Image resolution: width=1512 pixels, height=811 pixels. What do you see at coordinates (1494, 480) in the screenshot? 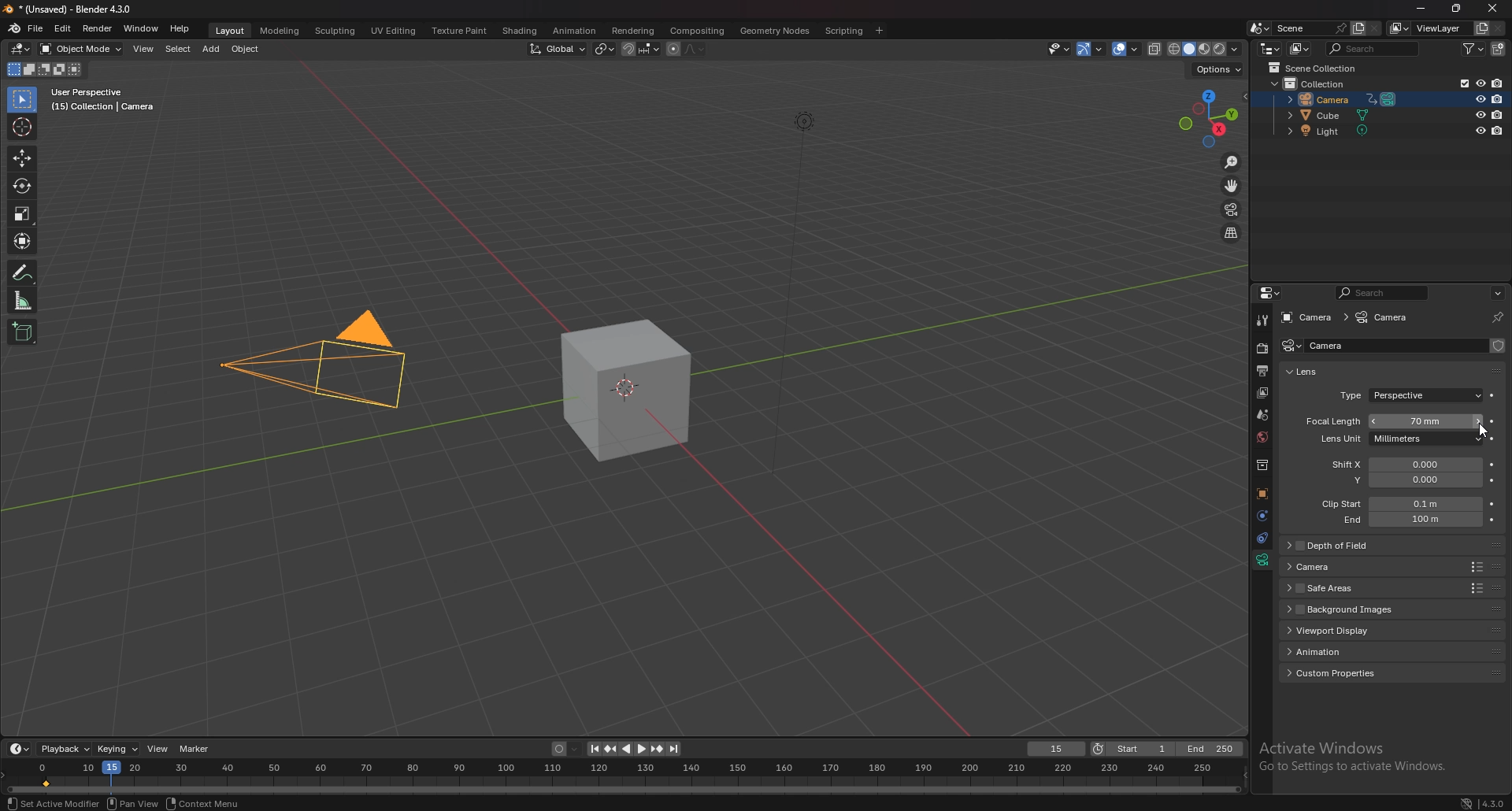
I see `animate property` at bounding box center [1494, 480].